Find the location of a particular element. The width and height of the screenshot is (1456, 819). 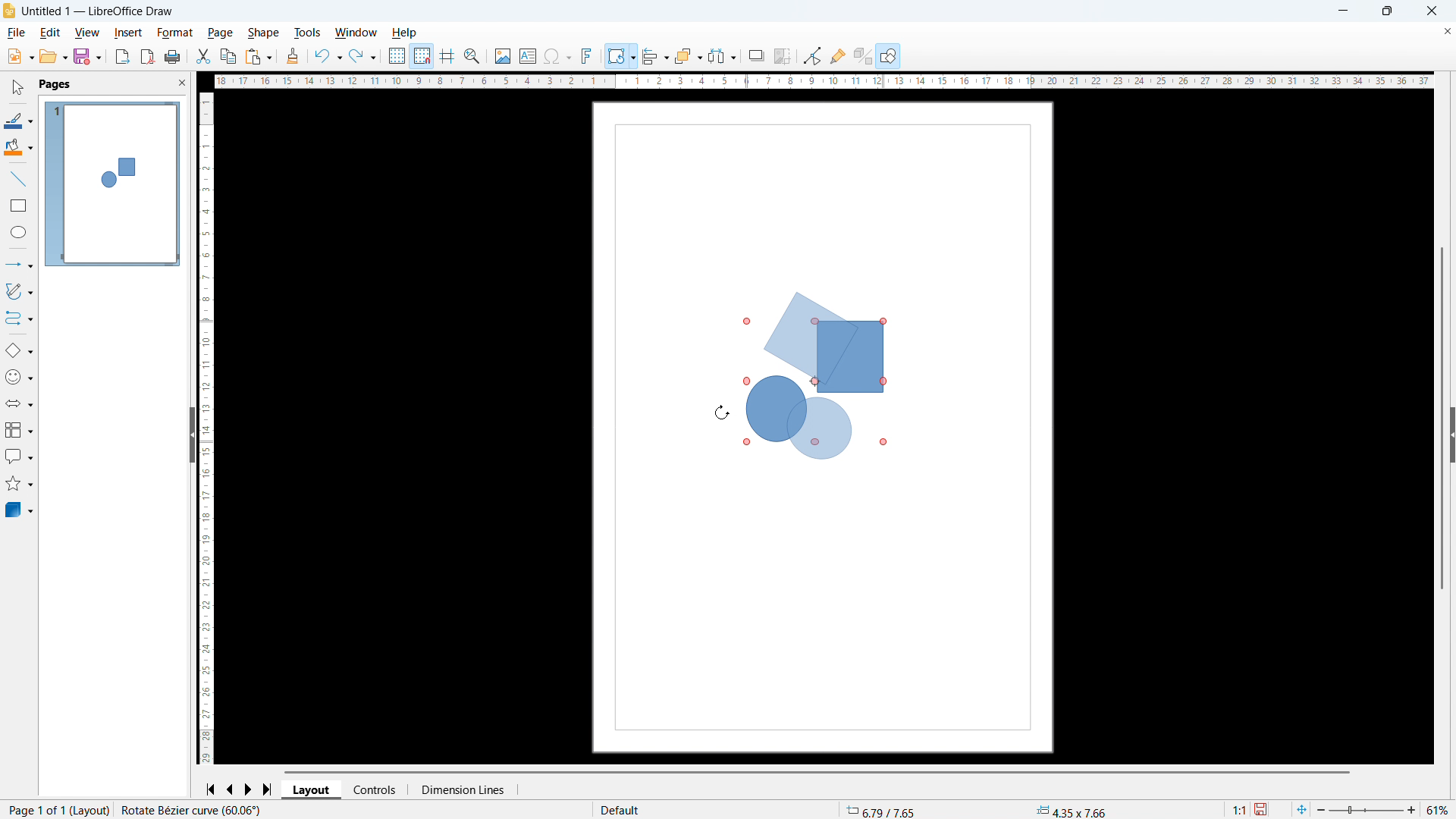

Export as PDF  is located at coordinates (147, 56).